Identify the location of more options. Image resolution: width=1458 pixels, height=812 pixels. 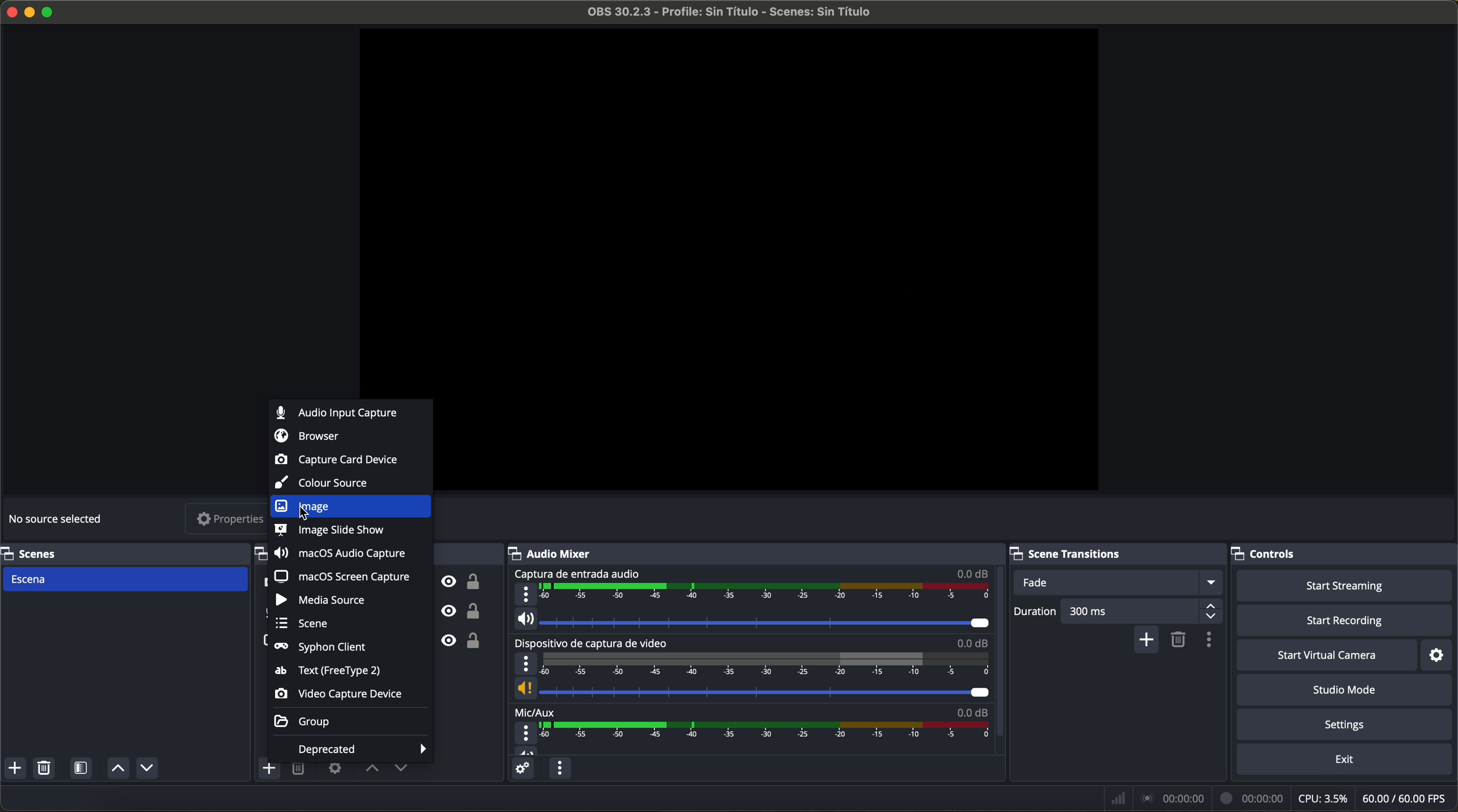
(526, 594).